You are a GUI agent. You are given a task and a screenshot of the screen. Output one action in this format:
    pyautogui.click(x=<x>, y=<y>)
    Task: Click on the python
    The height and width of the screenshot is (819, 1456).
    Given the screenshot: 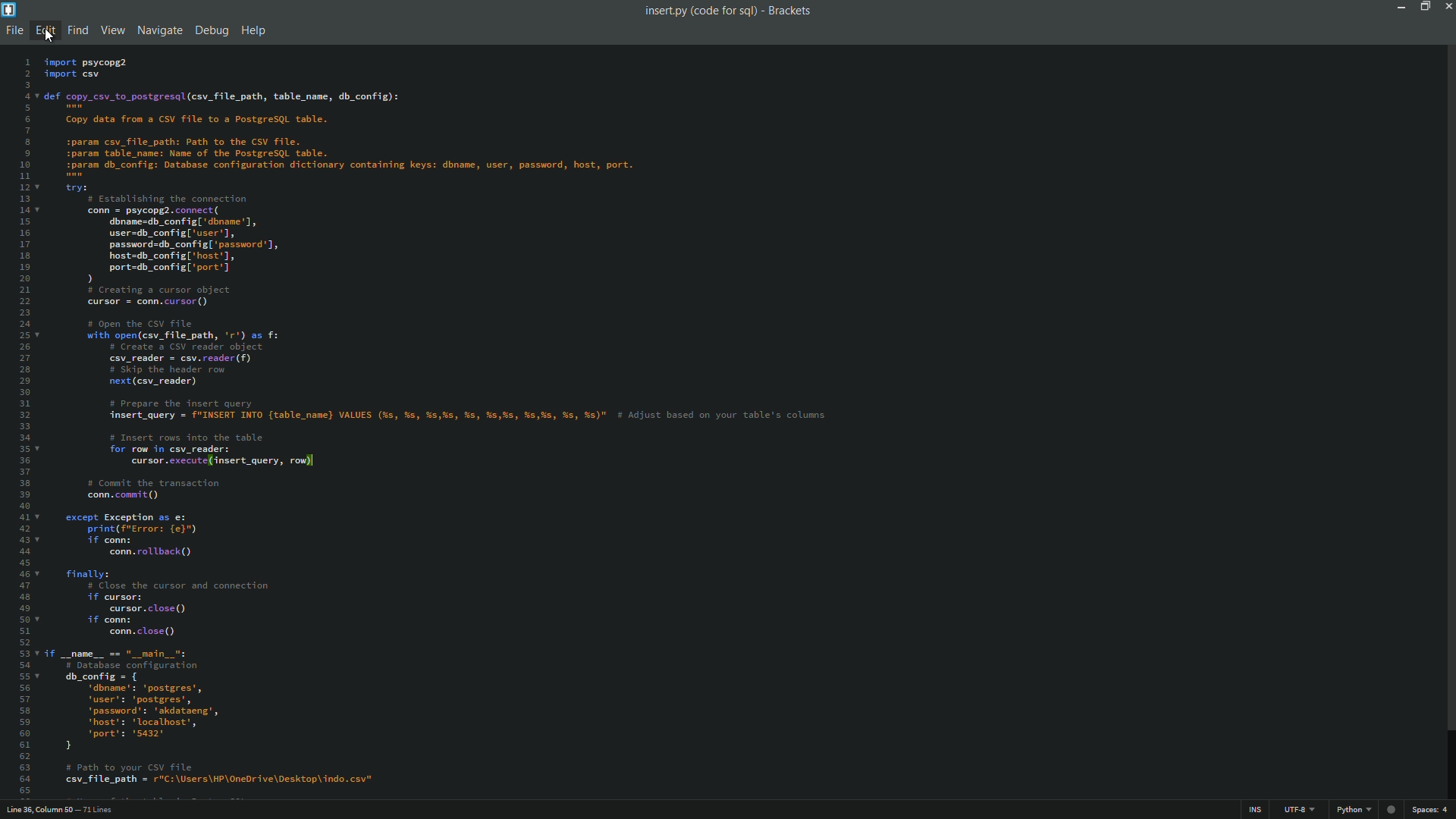 What is the action you would take?
    pyautogui.click(x=1353, y=810)
    